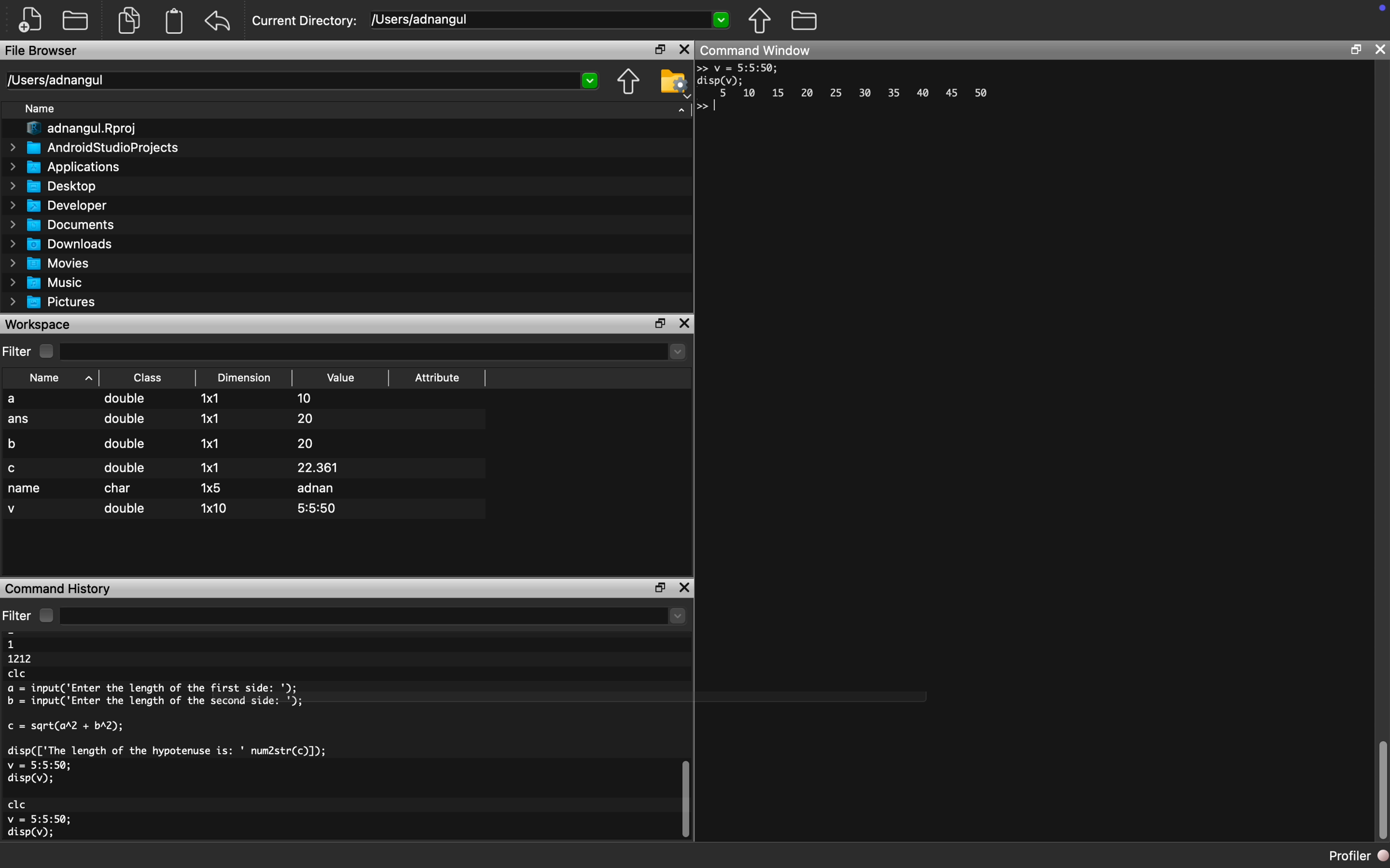  Describe the element at coordinates (54, 205) in the screenshot. I see `Developer` at that location.